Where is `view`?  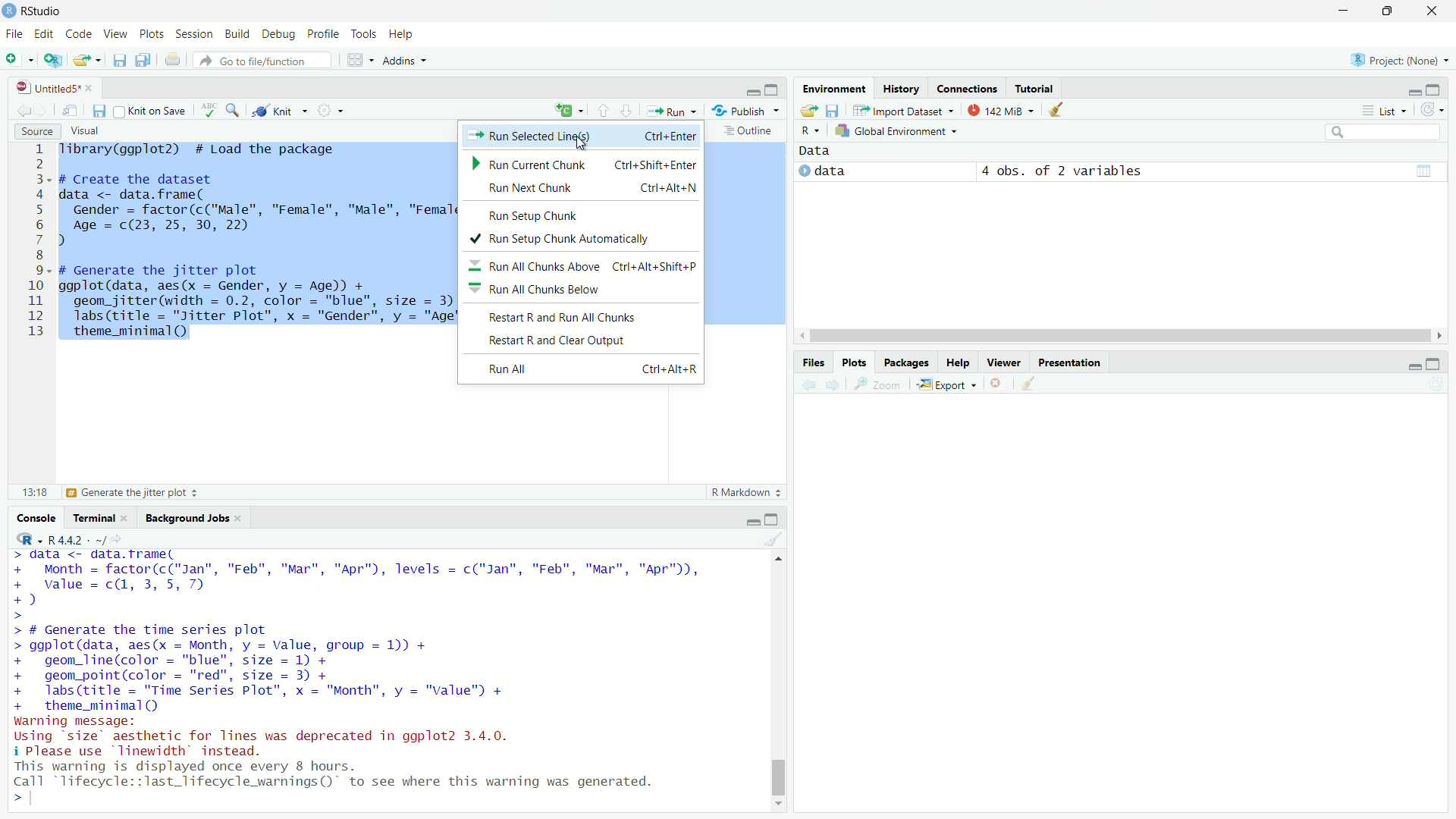
view is located at coordinates (112, 33).